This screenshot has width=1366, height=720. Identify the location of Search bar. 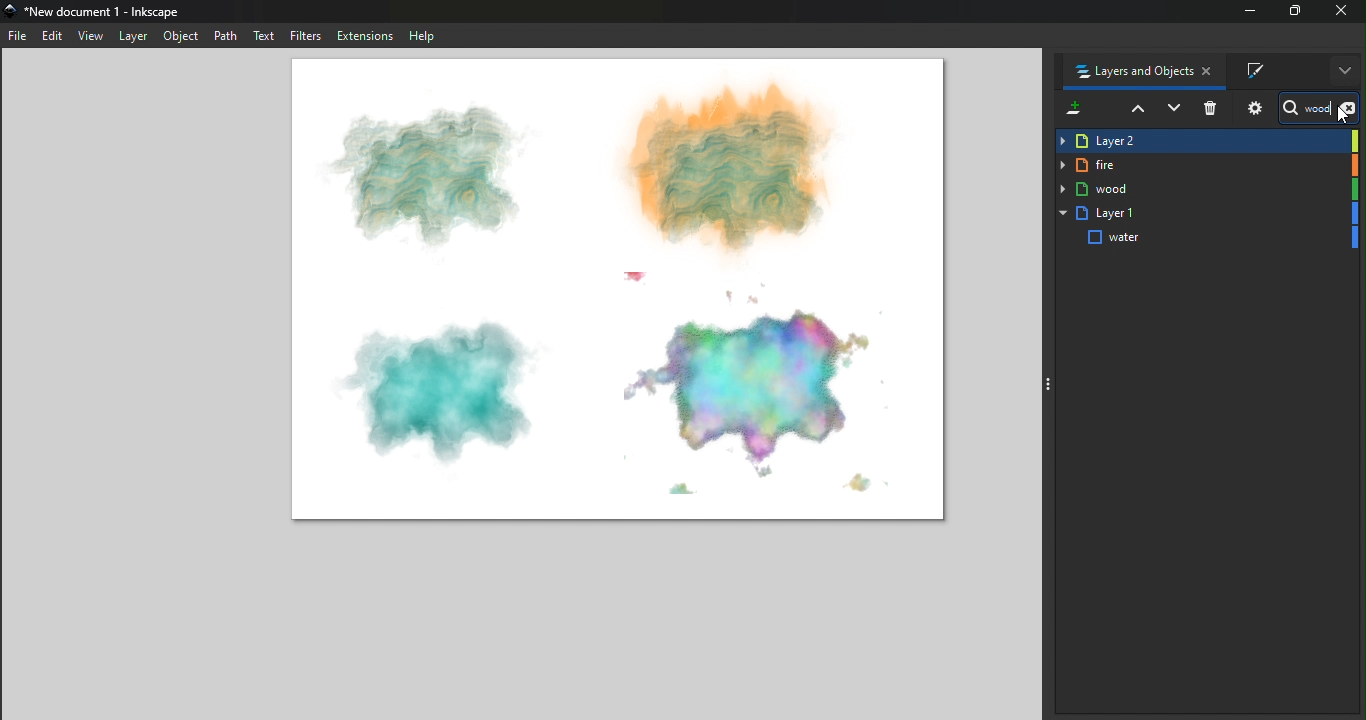
(1320, 108).